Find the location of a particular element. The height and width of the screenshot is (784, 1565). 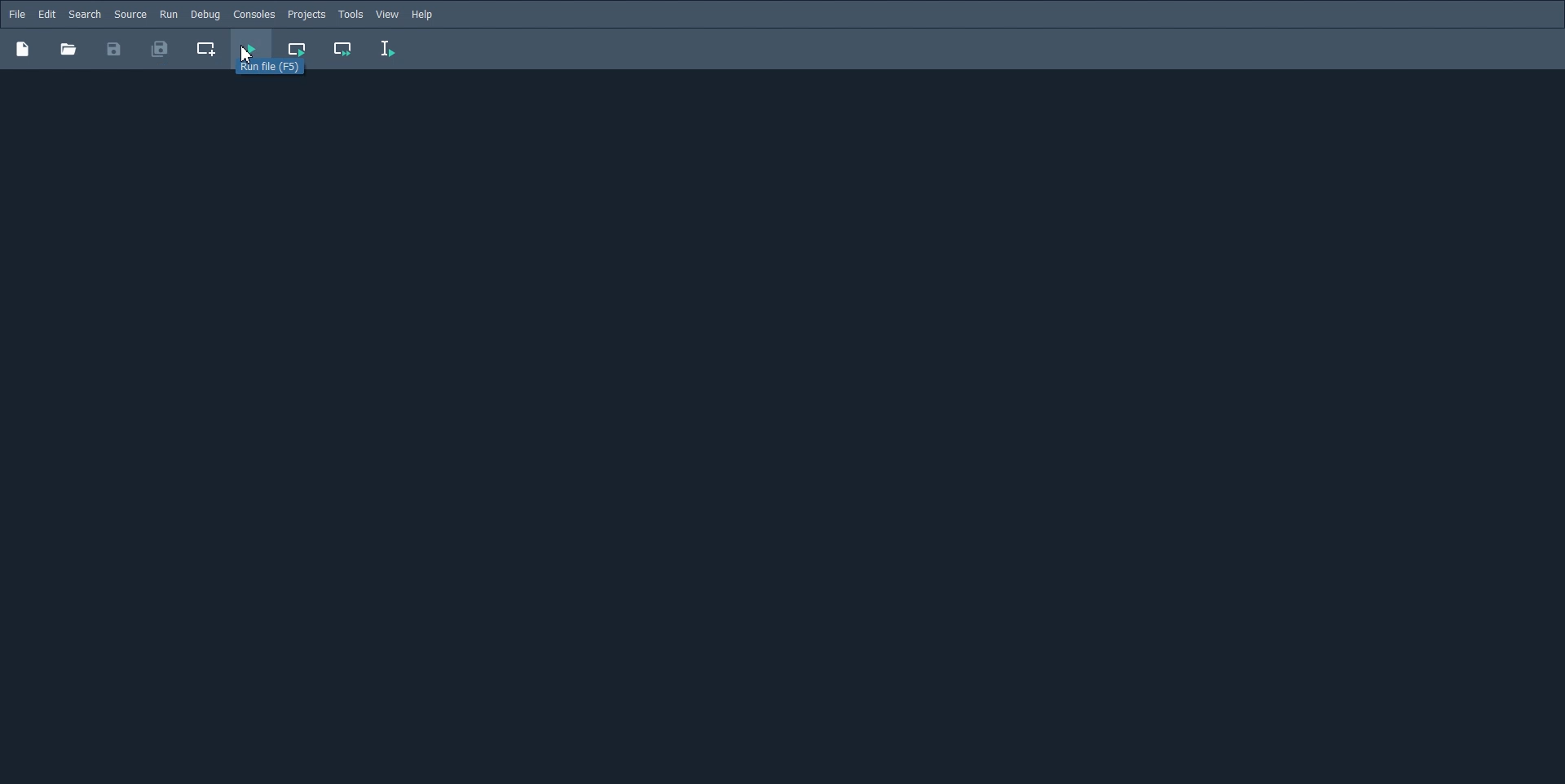

Tools is located at coordinates (350, 15).